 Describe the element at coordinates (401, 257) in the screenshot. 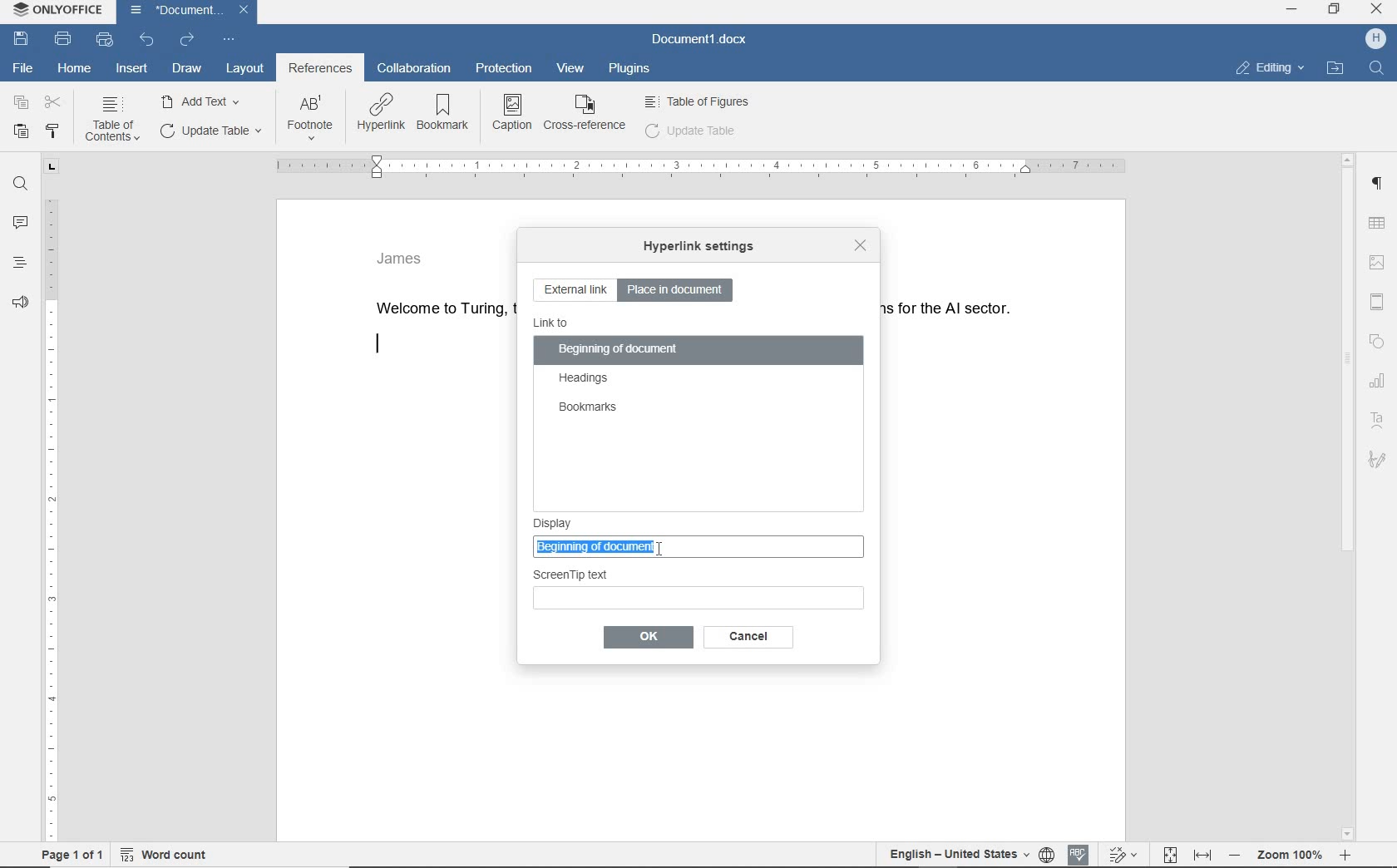

I see `James` at that location.